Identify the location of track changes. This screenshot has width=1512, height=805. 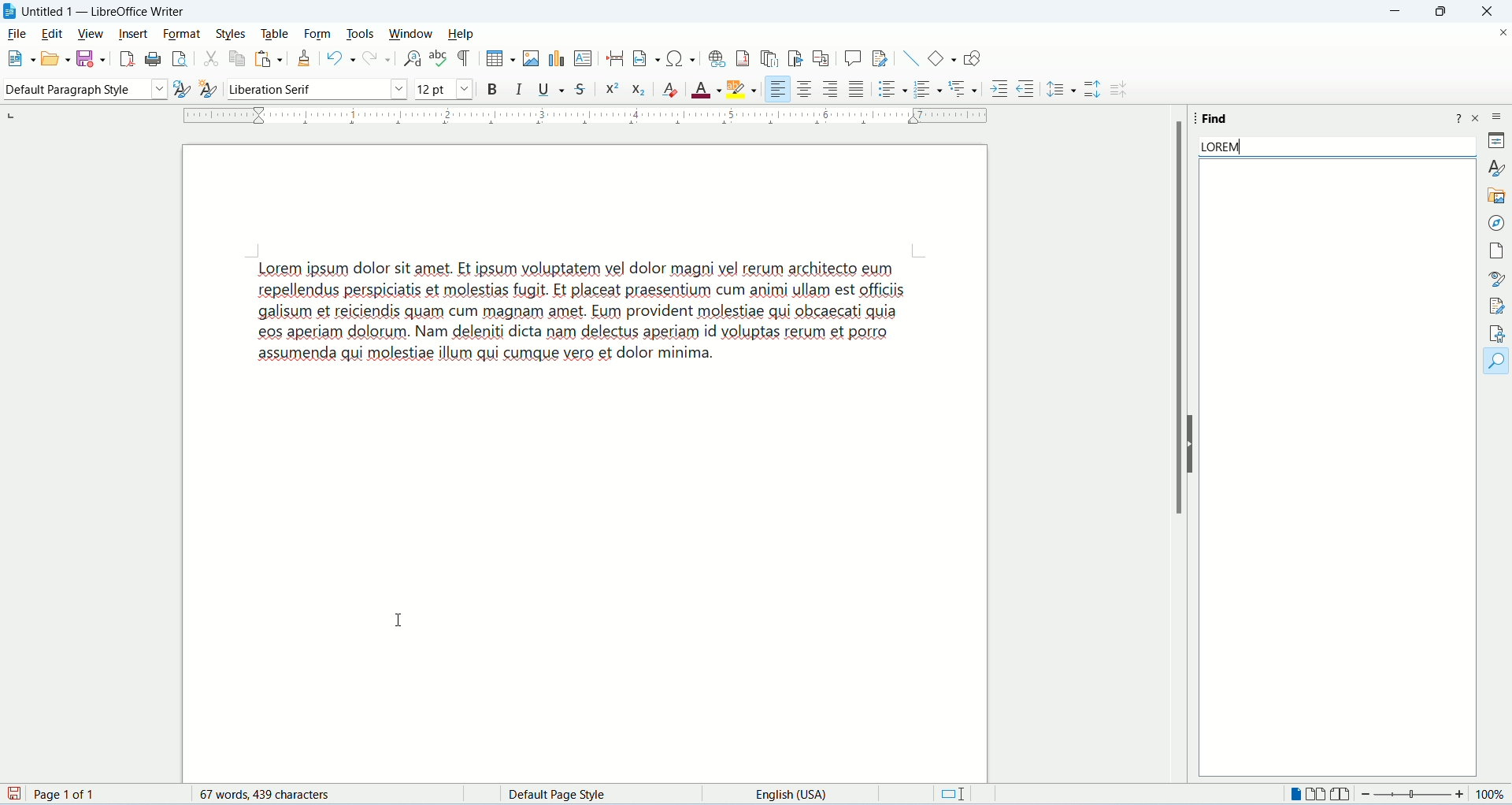
(882, 58).